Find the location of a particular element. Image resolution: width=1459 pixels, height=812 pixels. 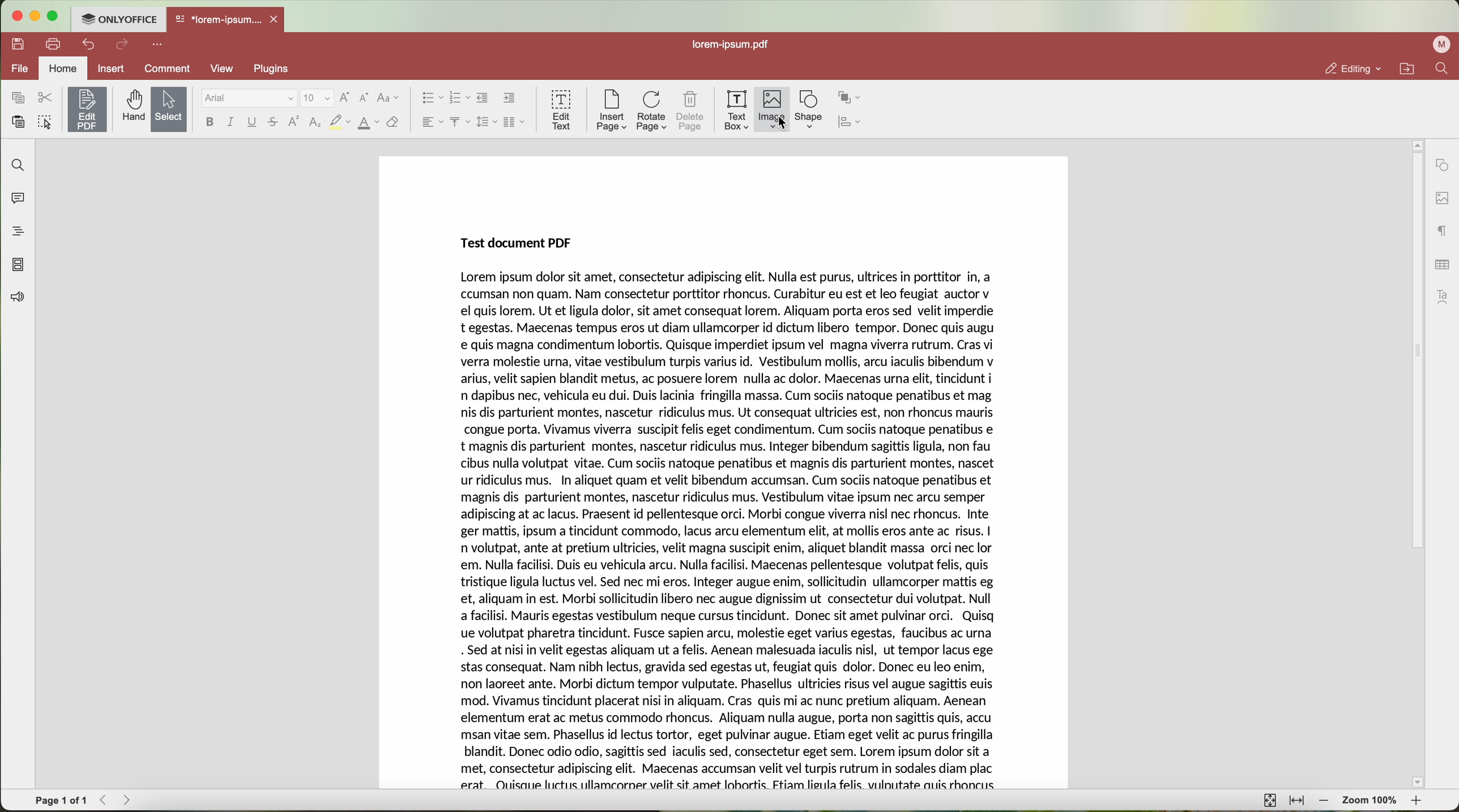

comment is located at coordinates (169, 70).